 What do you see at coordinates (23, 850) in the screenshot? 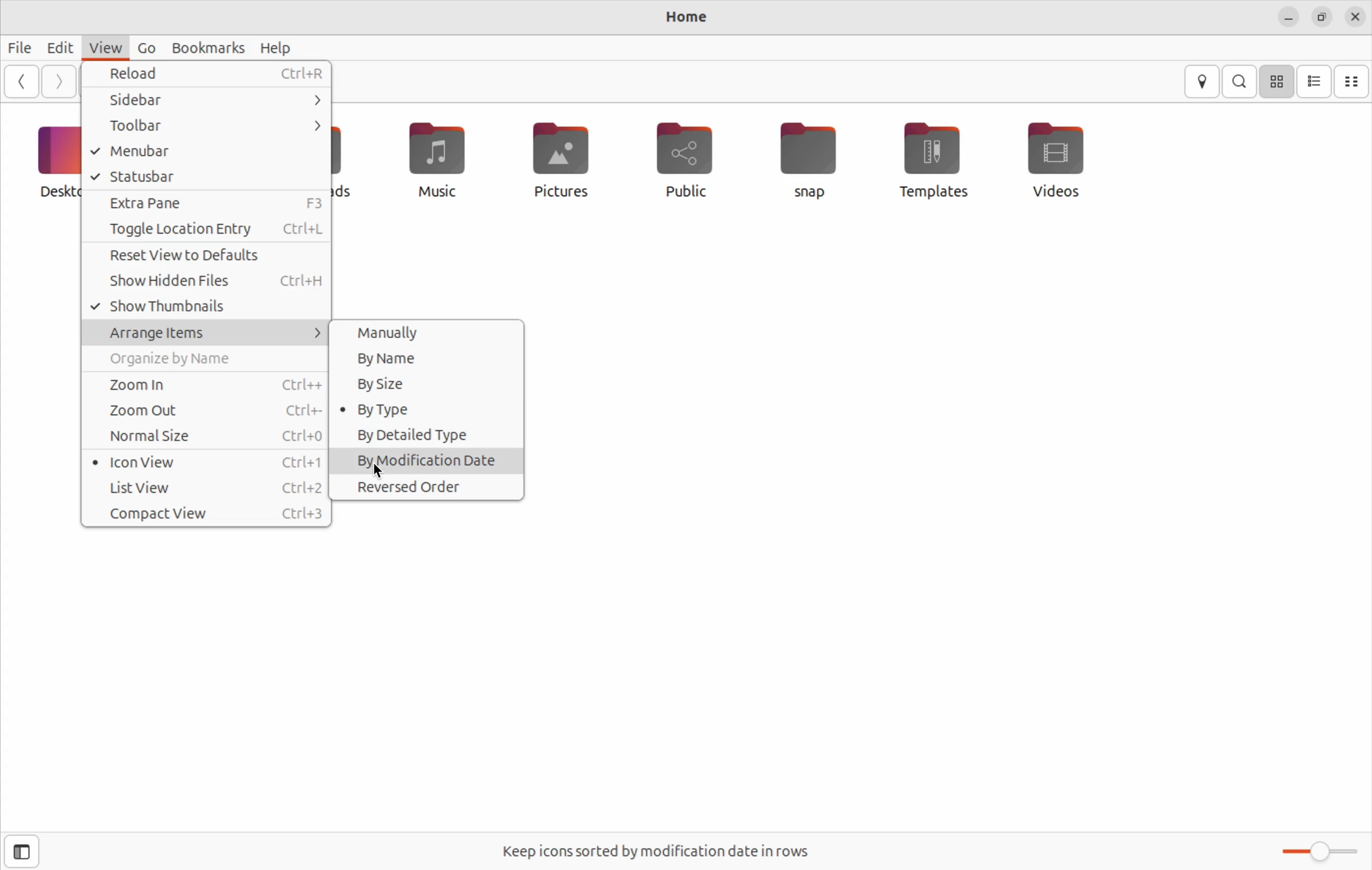
I see `opens side bar` at bounding box center [23, 850].